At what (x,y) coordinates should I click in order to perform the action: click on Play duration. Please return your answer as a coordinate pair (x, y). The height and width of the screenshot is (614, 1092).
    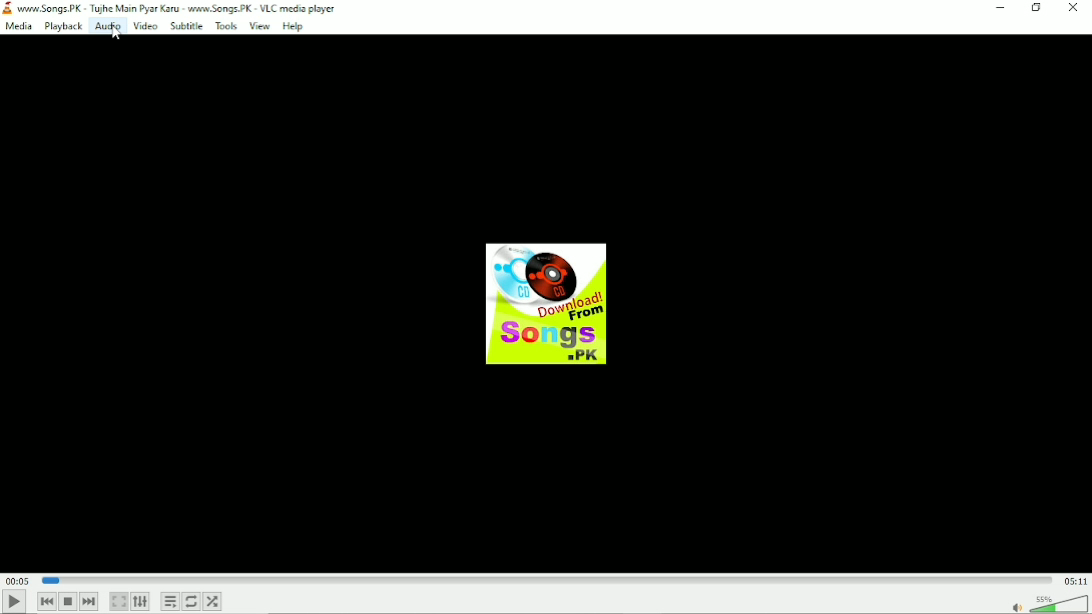
    Looking at the image, I should click on (547, 579).